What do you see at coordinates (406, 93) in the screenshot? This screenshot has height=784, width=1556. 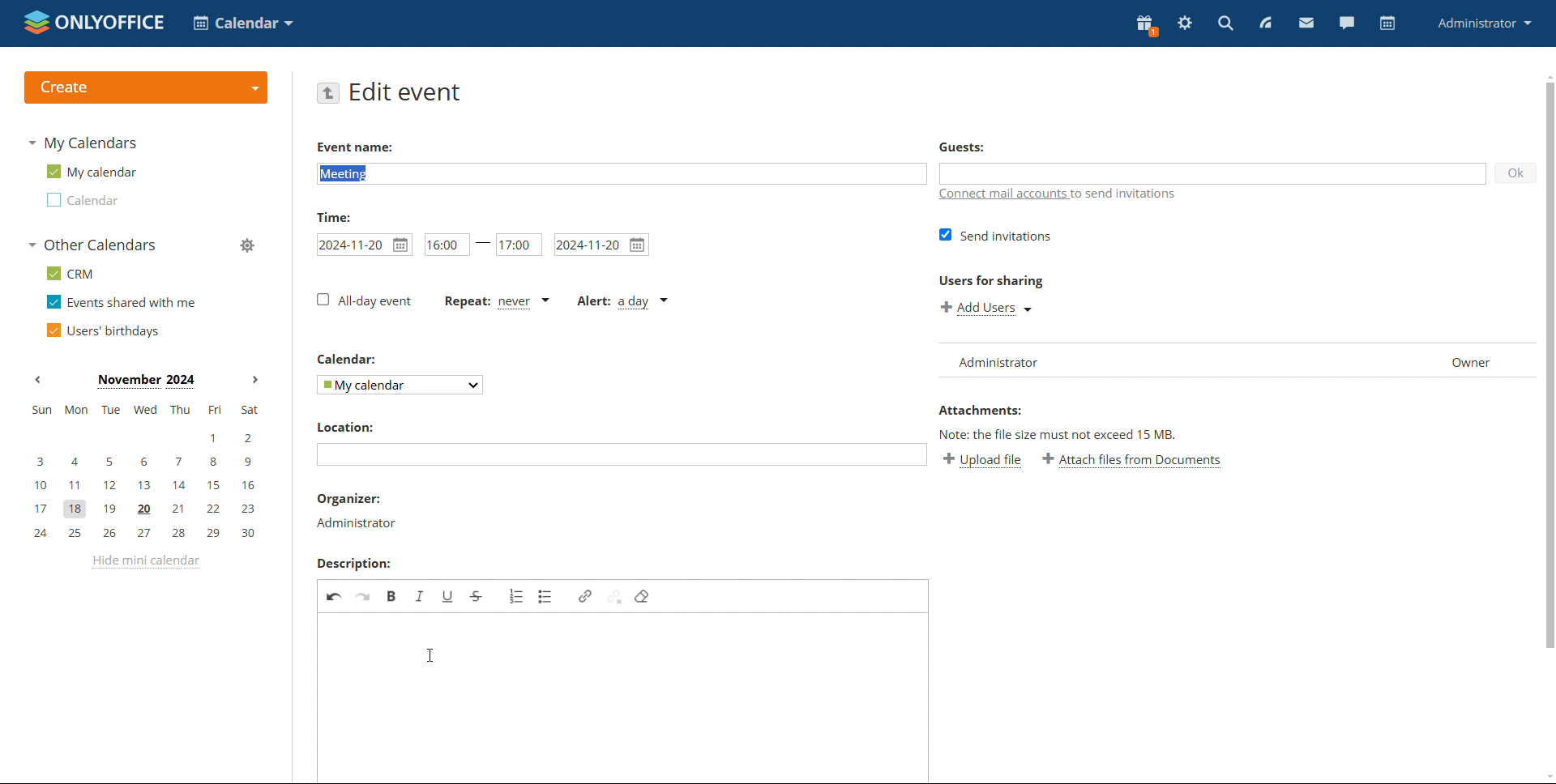 I see `edit event` at bounding box center [406, 93].